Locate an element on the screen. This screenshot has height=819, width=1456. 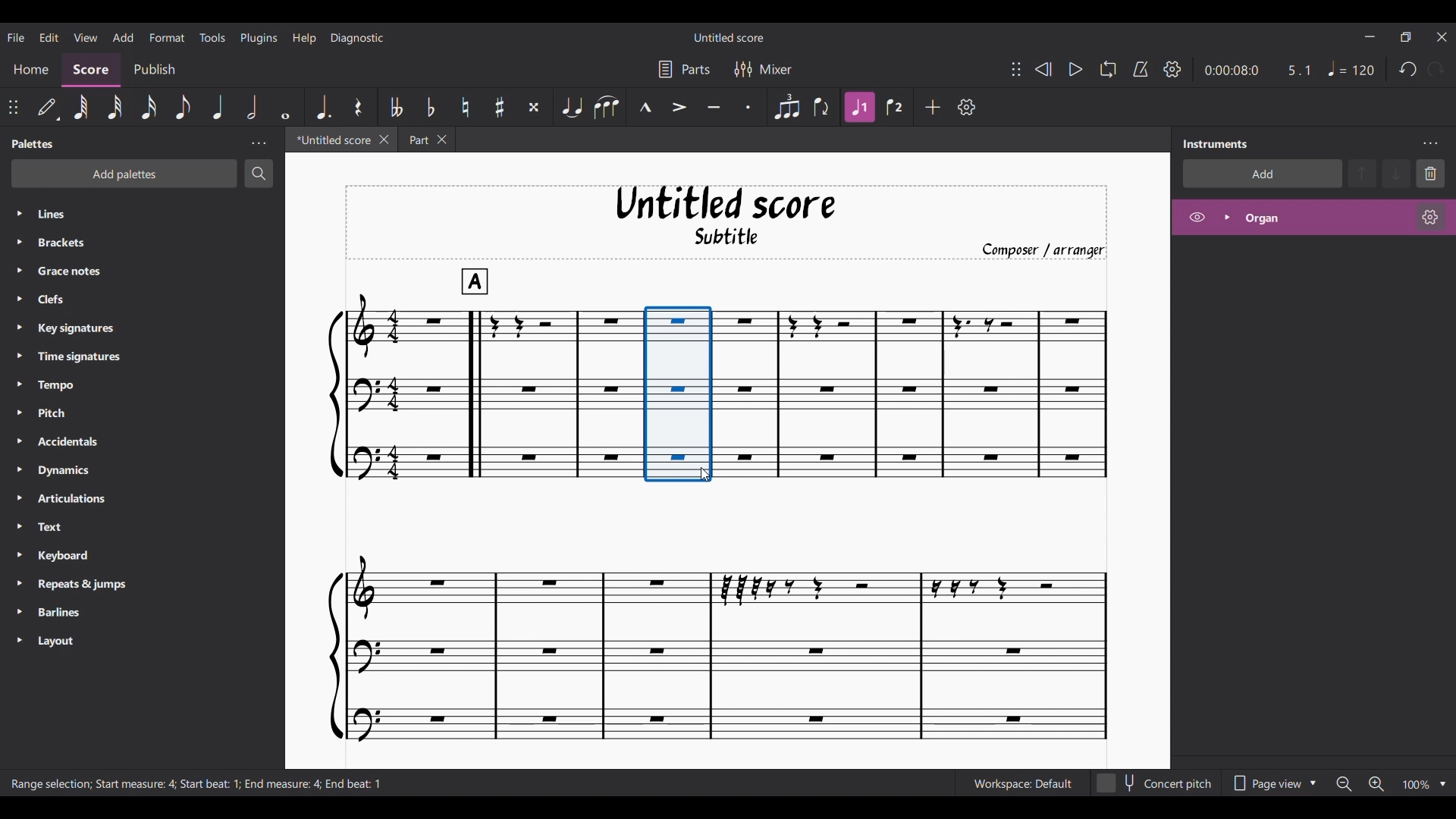
Name of current score is located at coordinates (730, 37).